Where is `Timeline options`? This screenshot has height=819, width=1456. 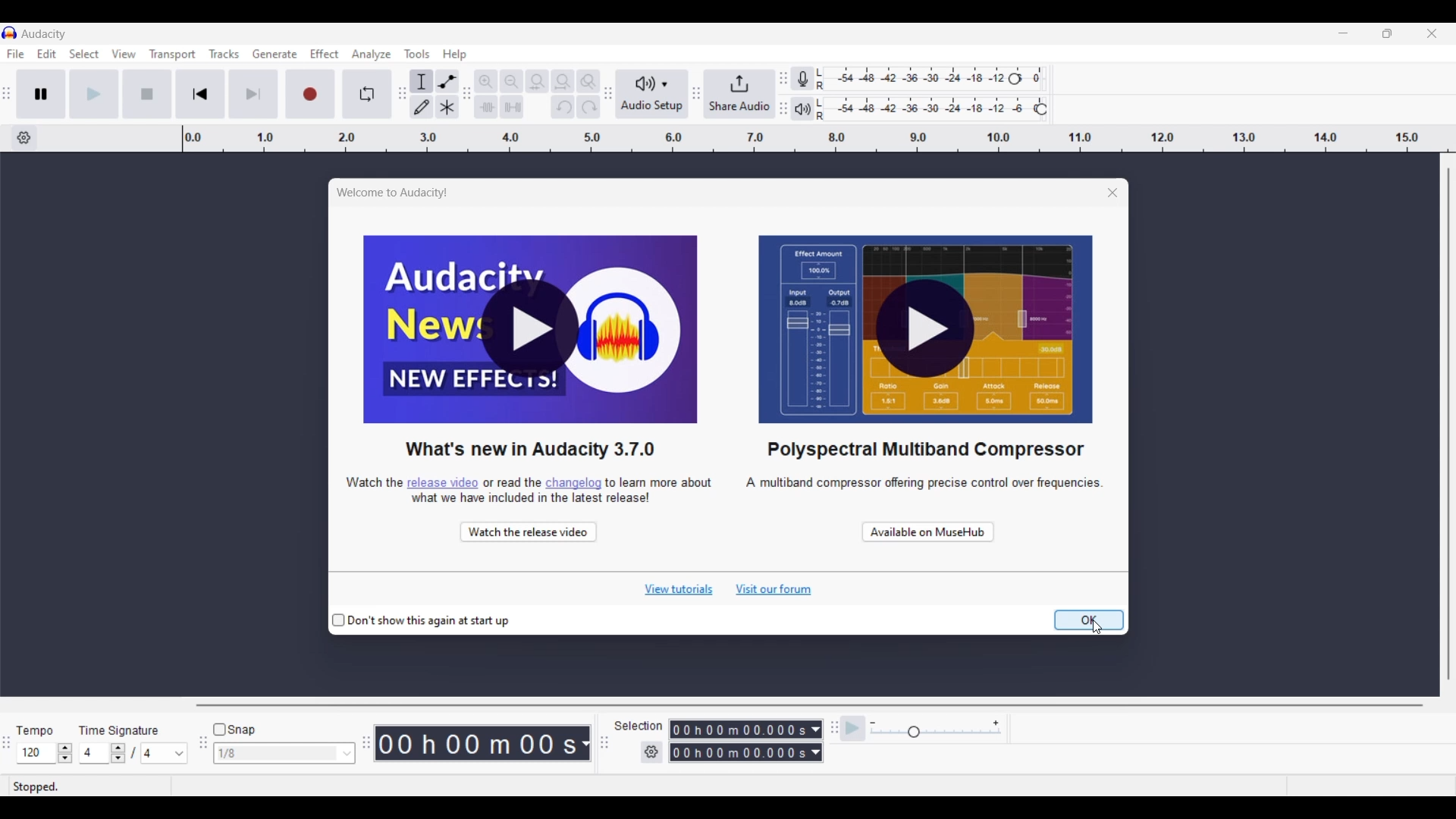
Timeline options is located at coordinates (24, 138).